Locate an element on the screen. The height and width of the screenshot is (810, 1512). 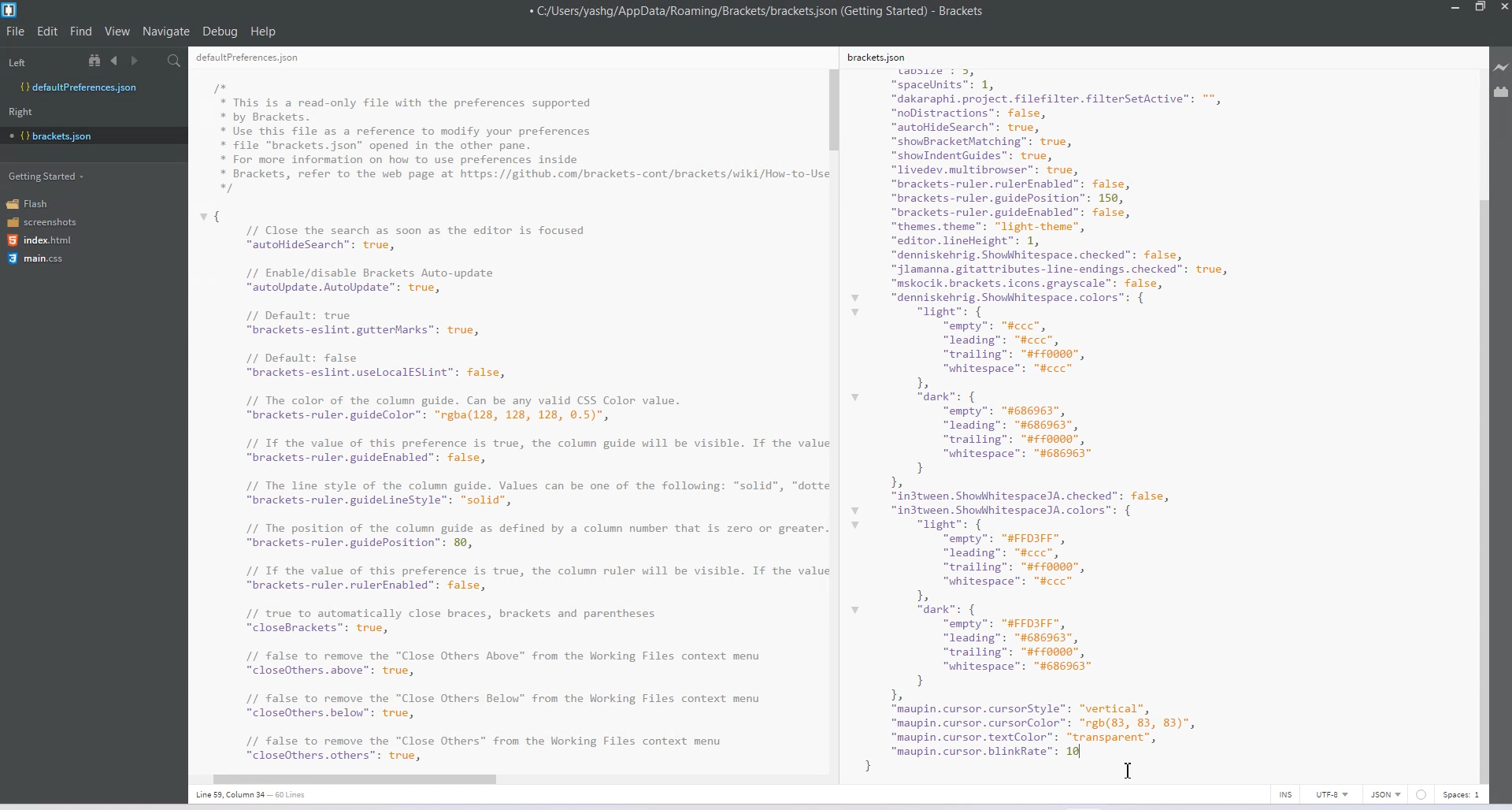
INS is located at coordinates (1285, 794).